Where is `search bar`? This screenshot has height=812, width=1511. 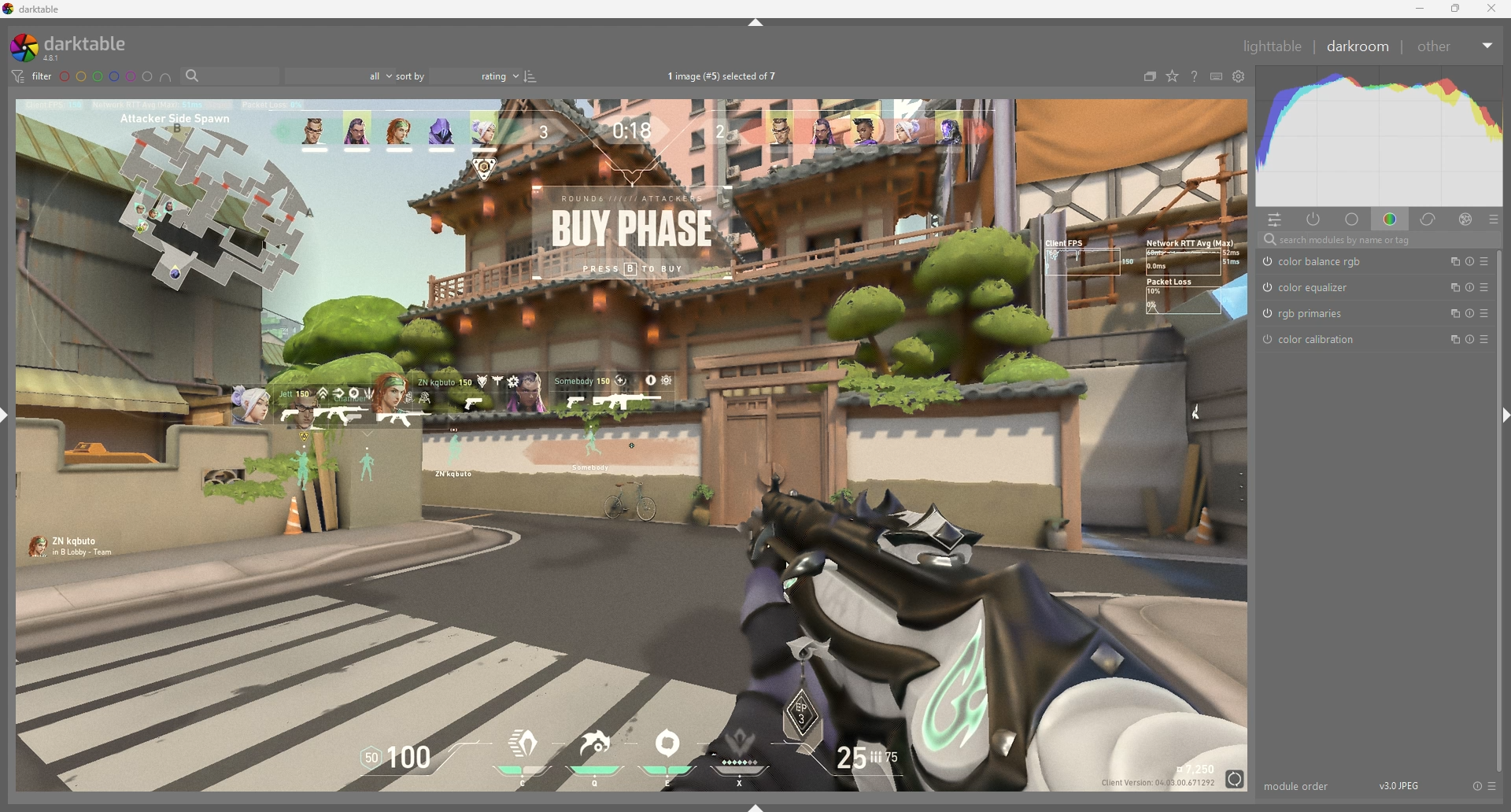
search bar is located at coordinates (227, 76).